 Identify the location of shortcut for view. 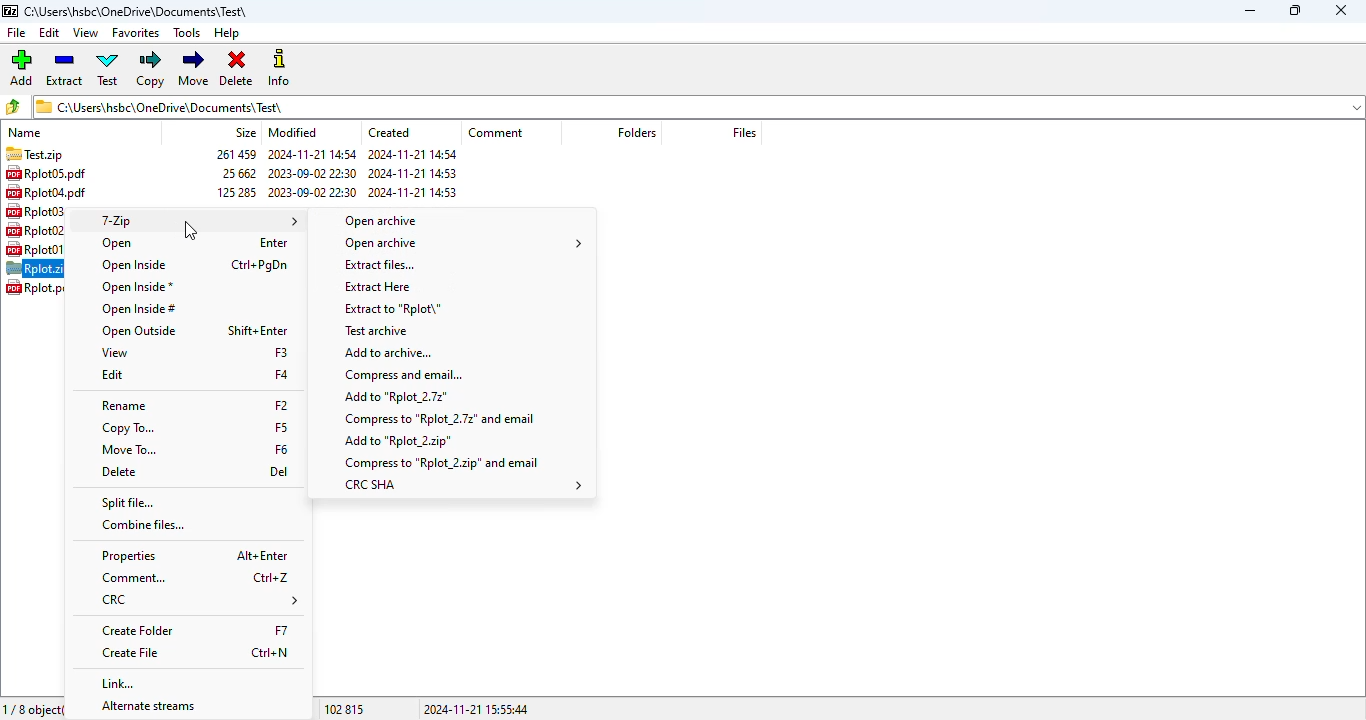
(280, 353).